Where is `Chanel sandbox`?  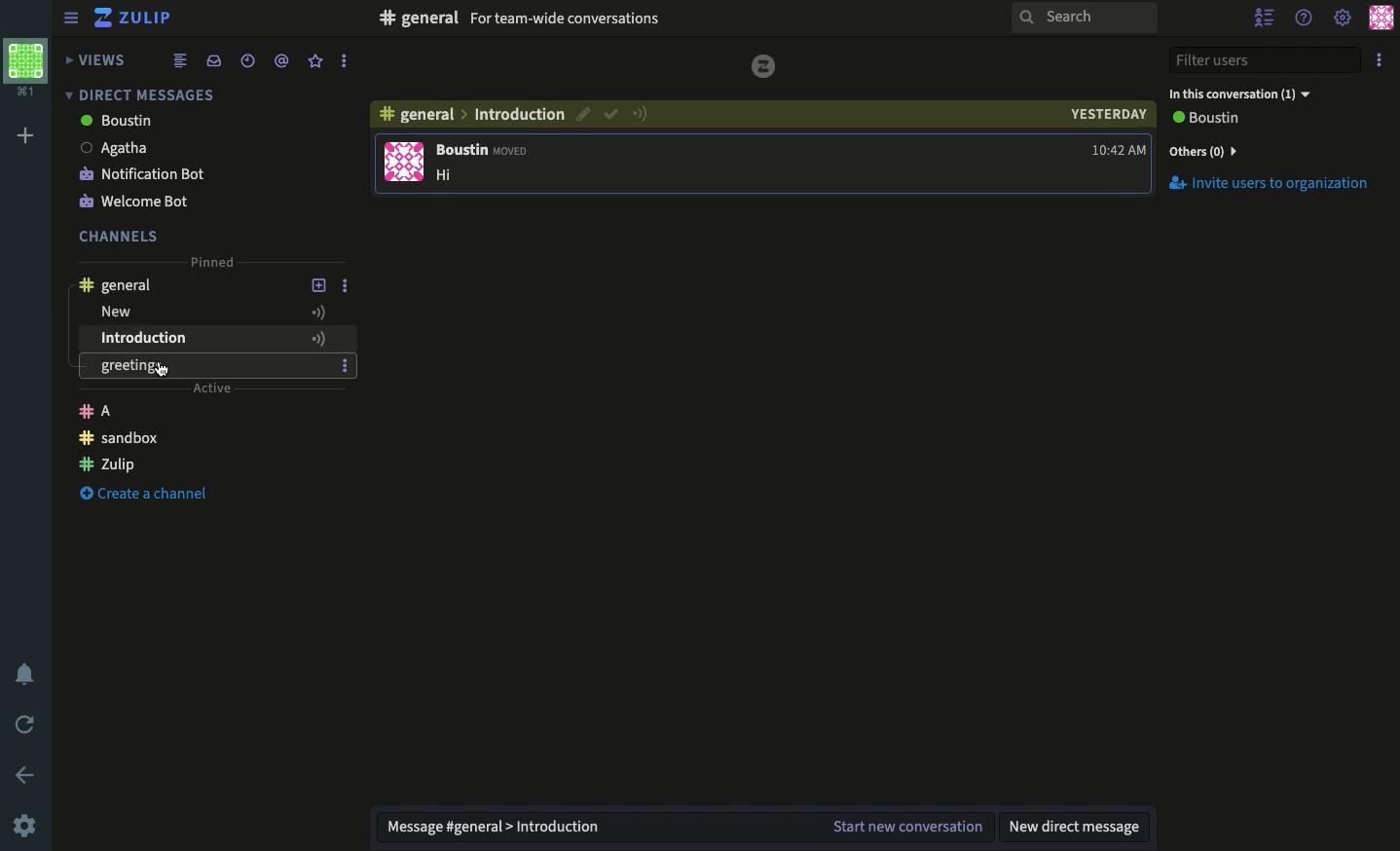 Chanel sandbox is located at coordinates (205, 439).